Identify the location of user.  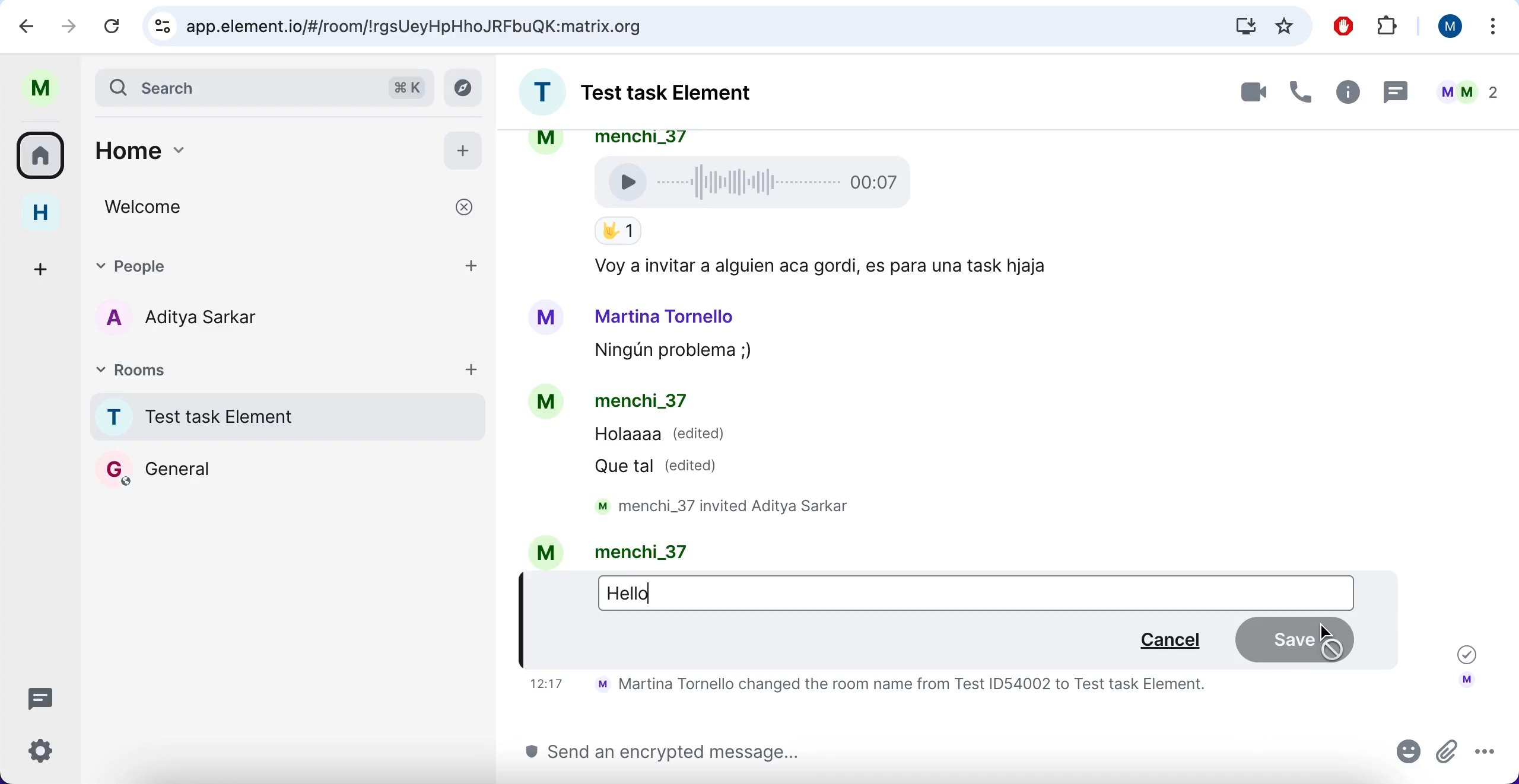
(49, 87).